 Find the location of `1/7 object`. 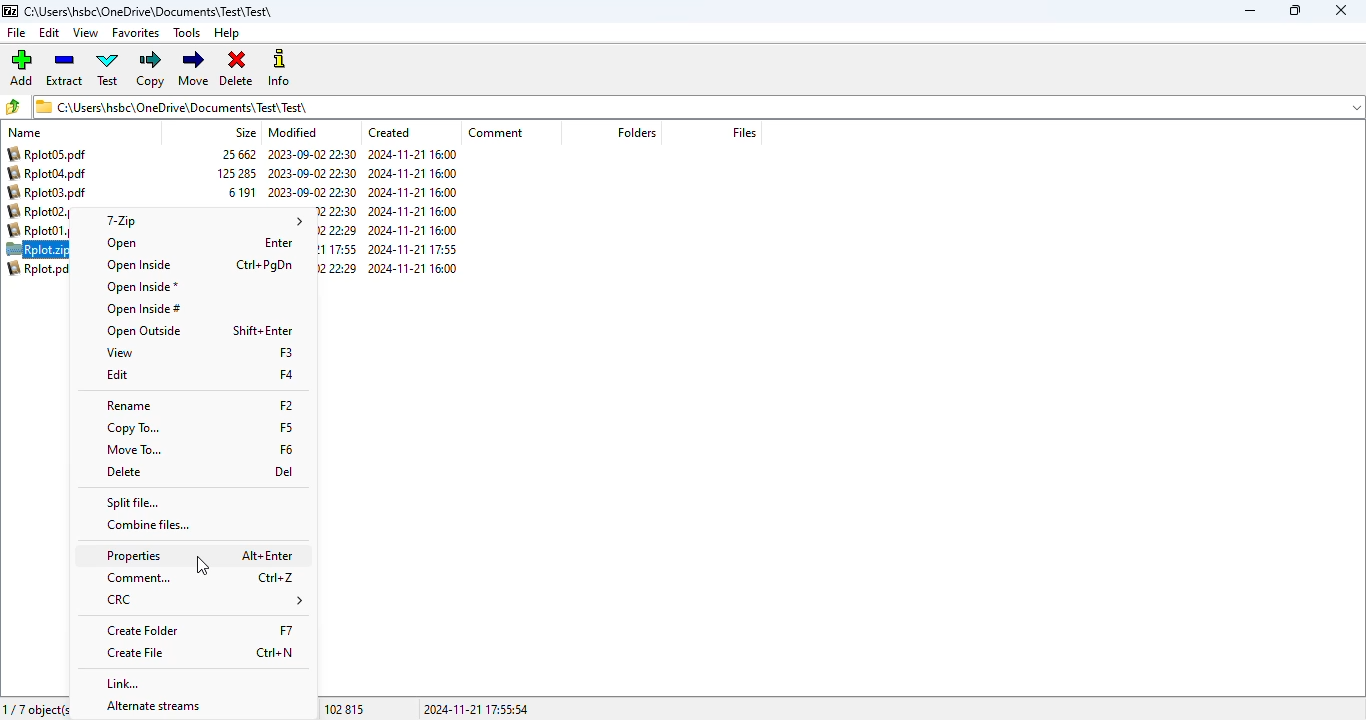

1/7 object is located at coordinates (35, 708).